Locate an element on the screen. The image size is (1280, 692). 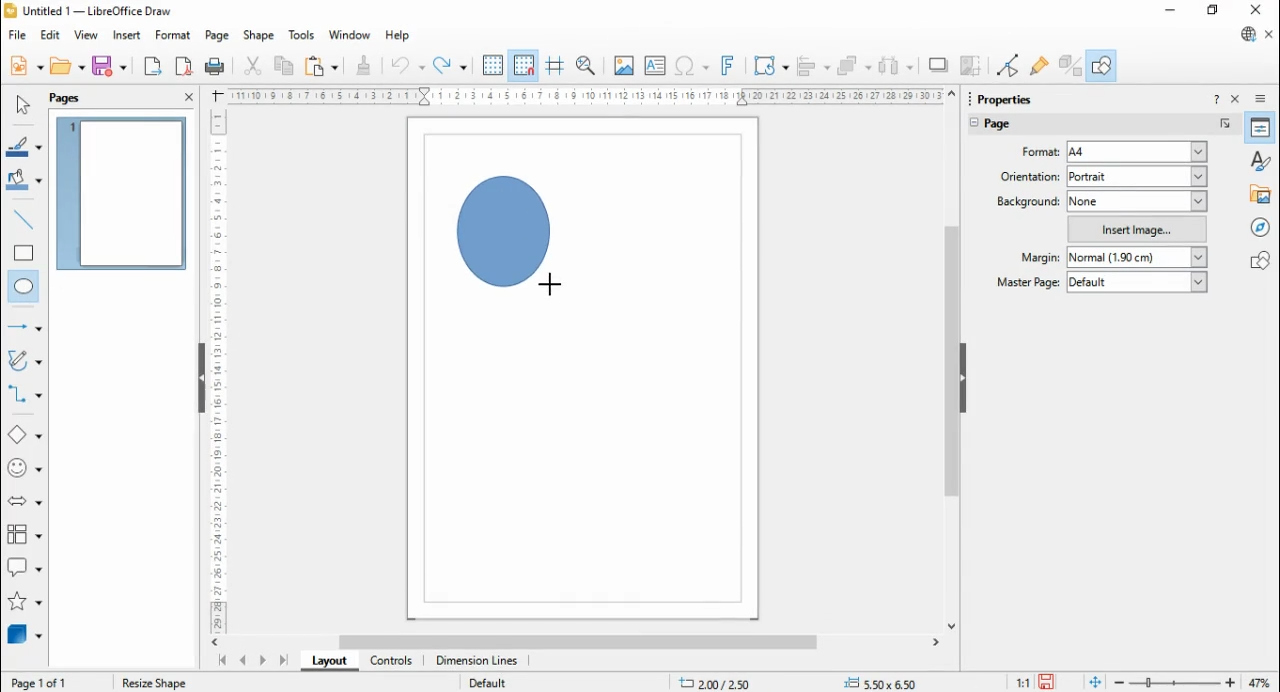
close sidebar deck is located at coordinates (1237, 98).